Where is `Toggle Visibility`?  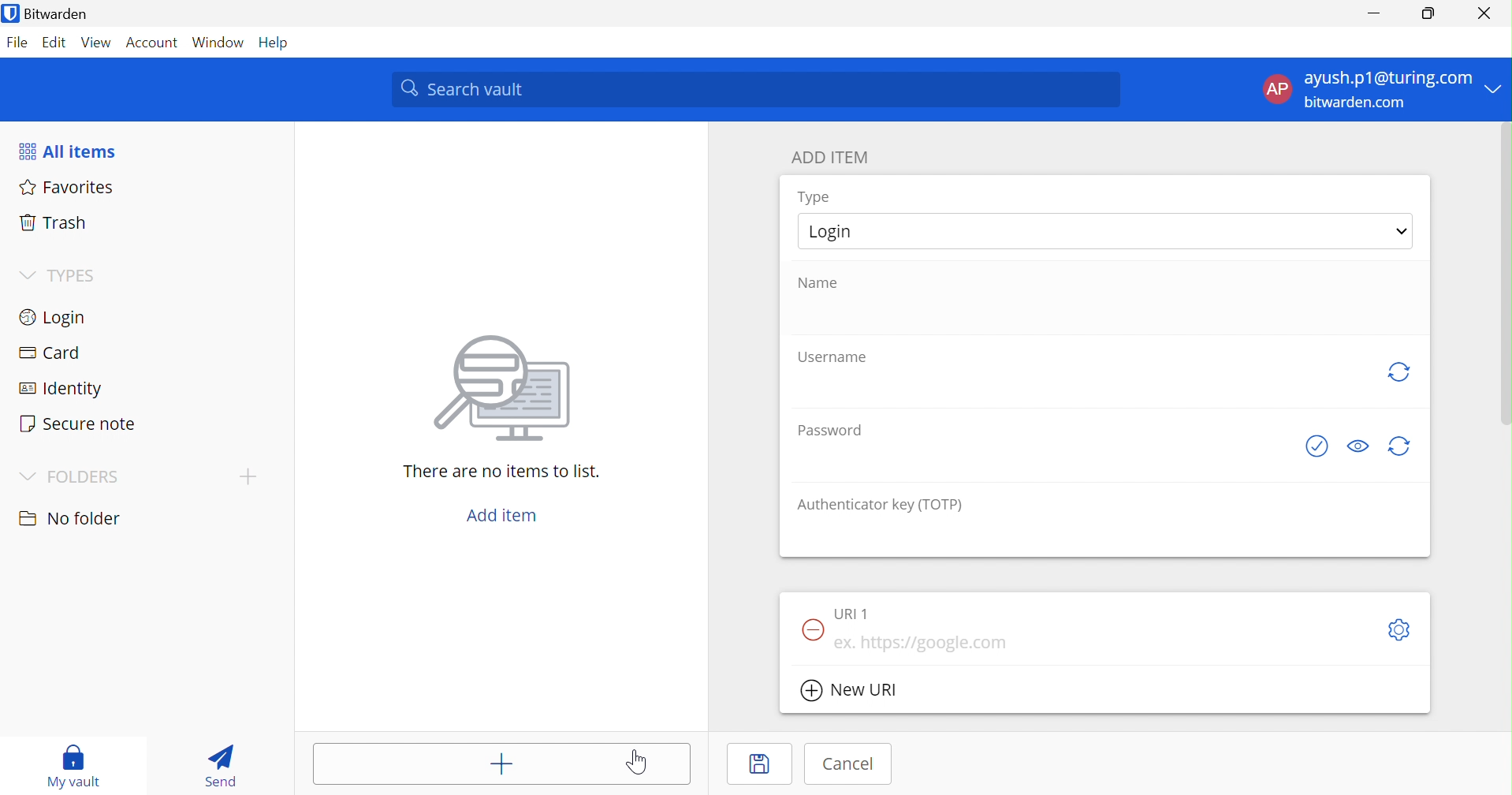 Toggle Visibility is located at coordinates (1361, 444).